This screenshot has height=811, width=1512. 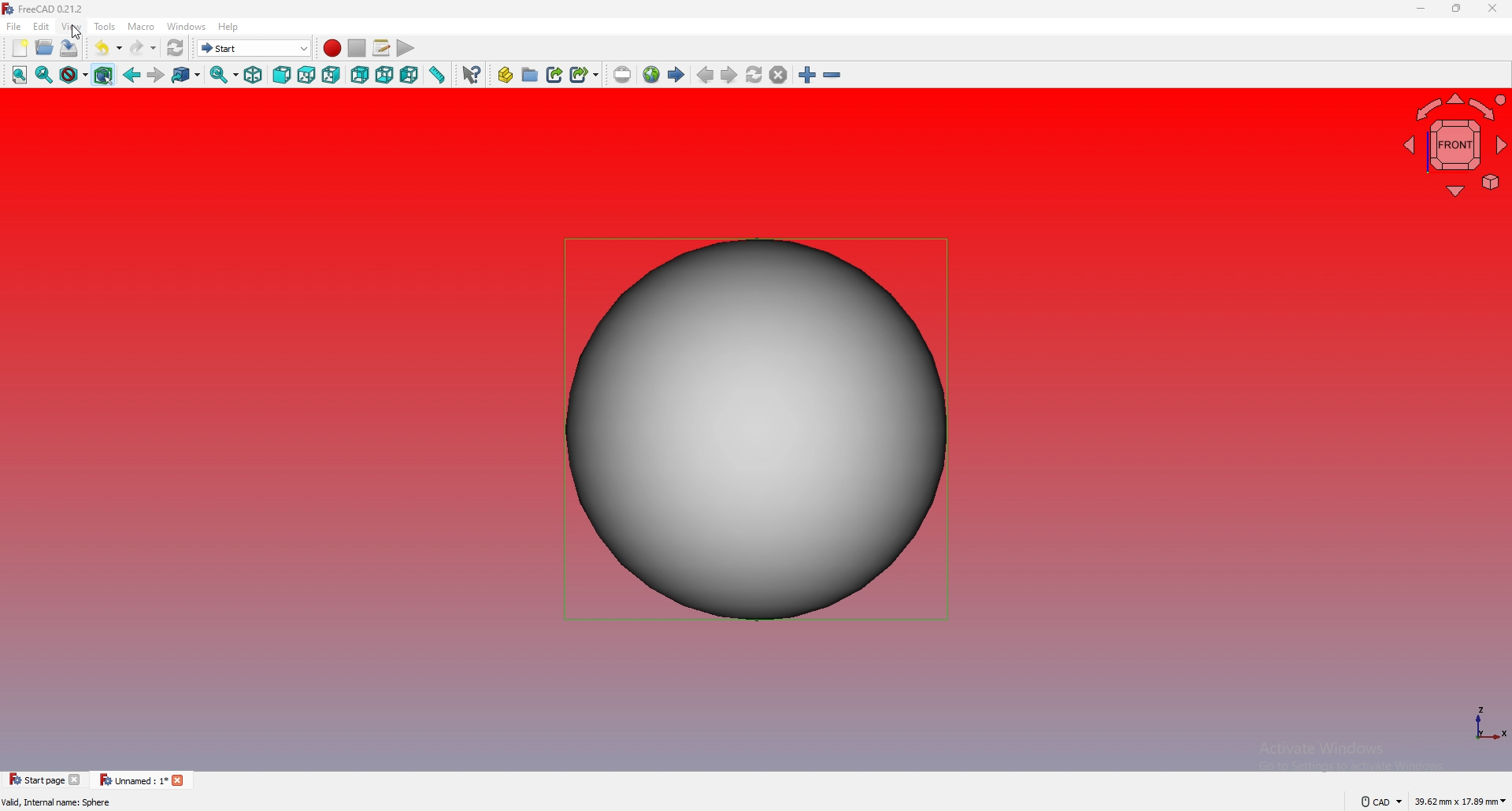 I want to click on set url, so click(x=622, y=75).